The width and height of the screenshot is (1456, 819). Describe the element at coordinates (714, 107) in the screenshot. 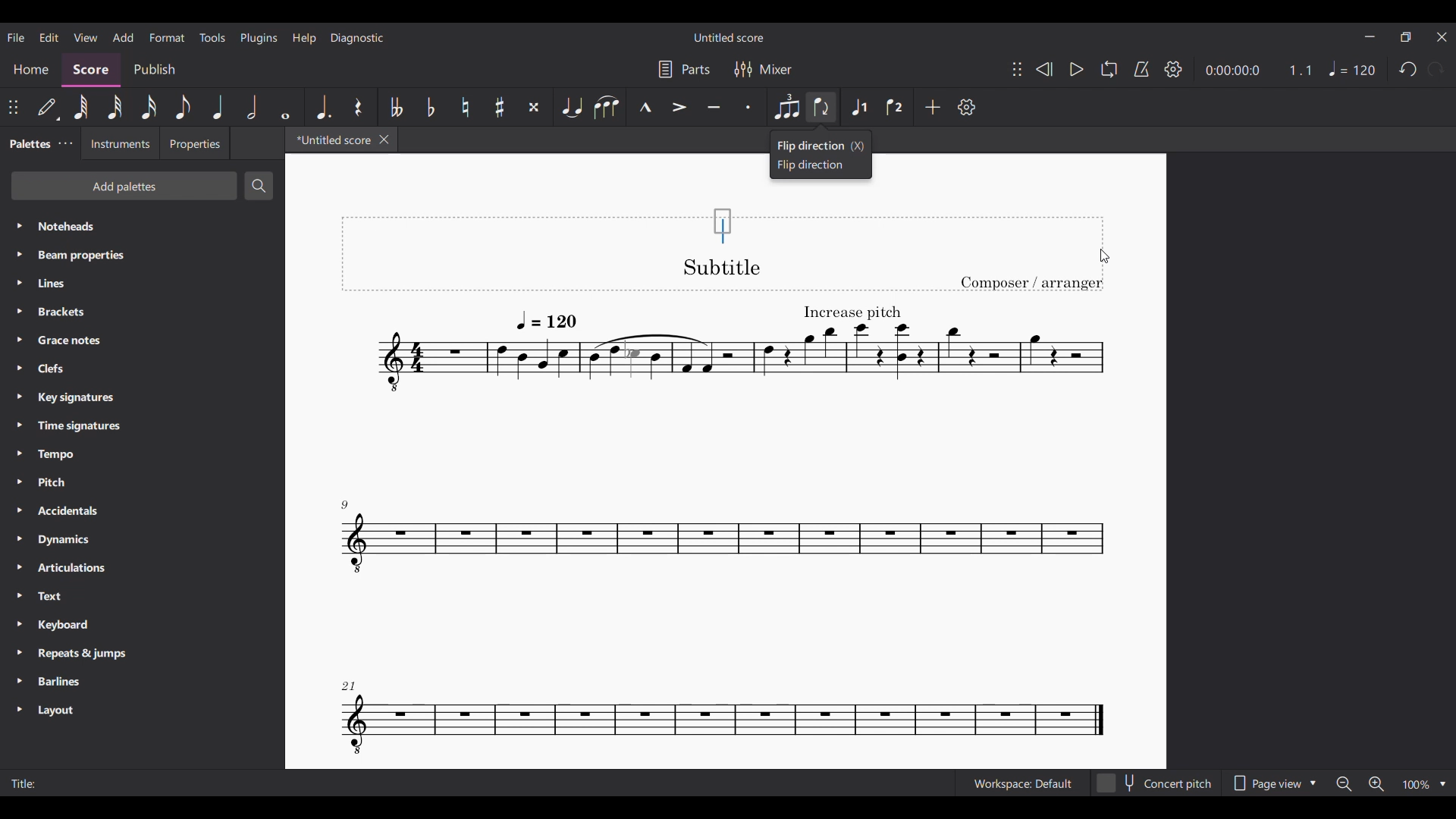

I see `Tenuto` at that location.